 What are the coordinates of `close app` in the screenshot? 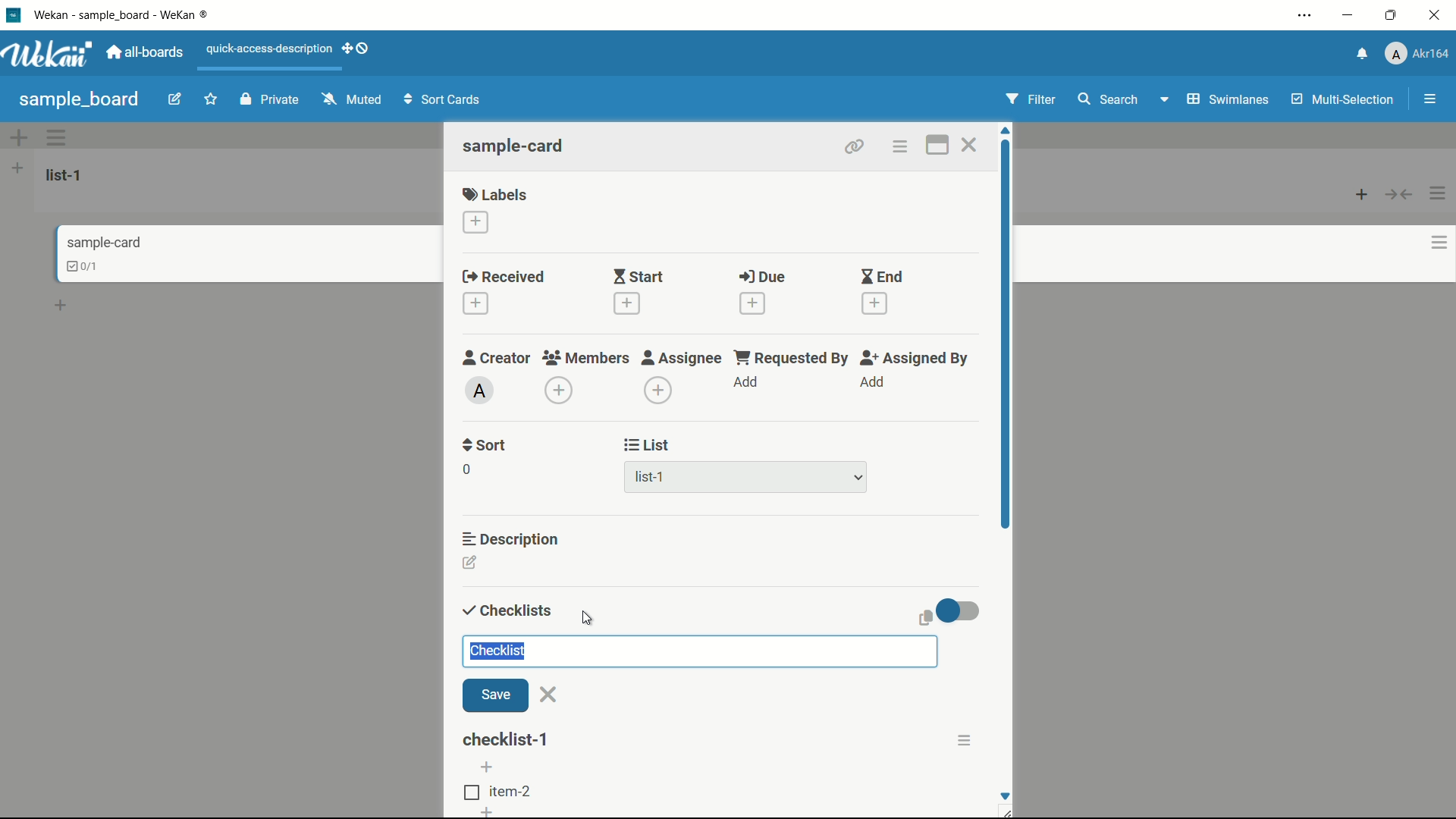 It's located at (1438, 15).